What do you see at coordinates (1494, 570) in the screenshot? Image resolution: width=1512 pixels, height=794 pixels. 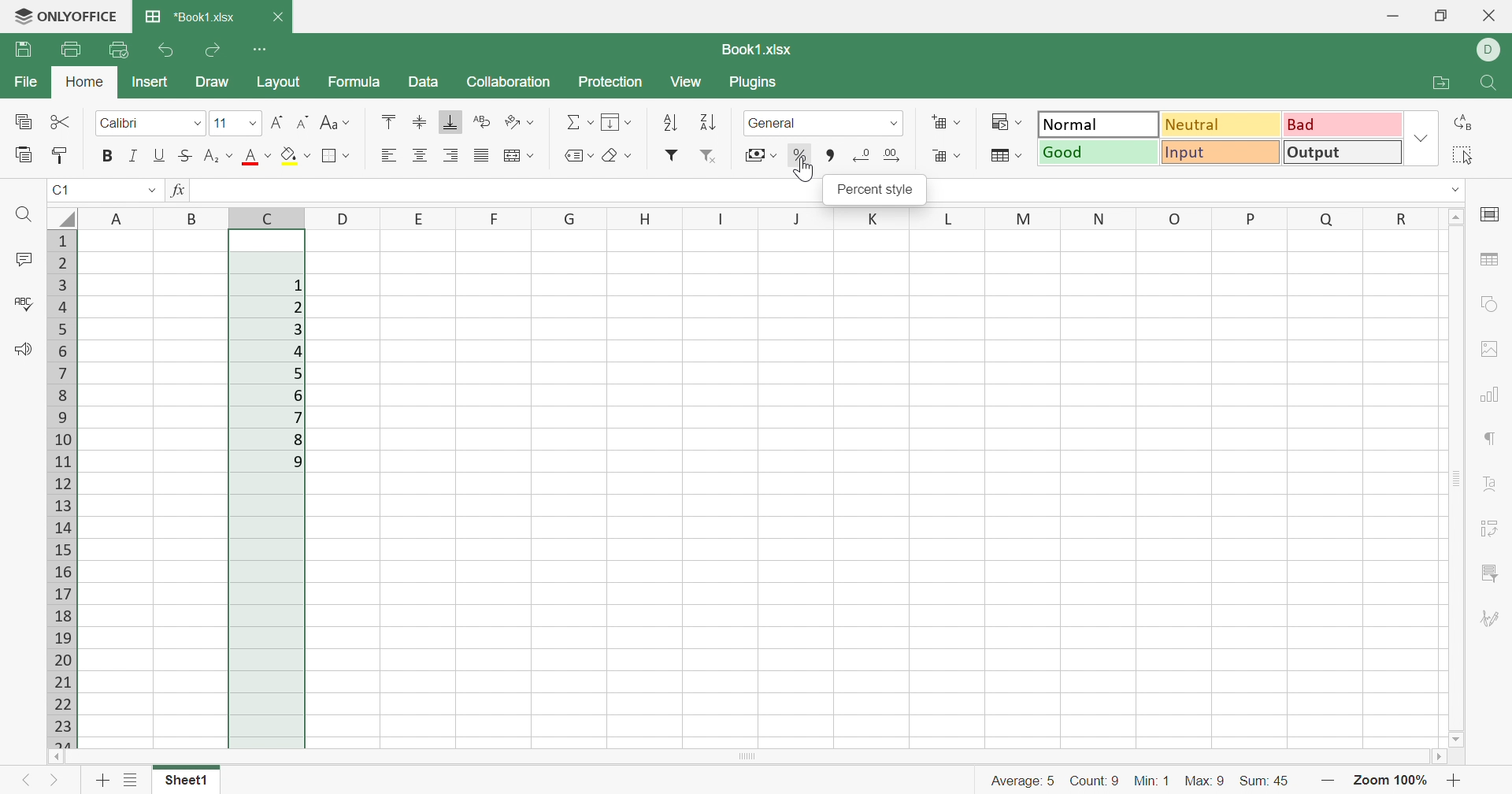 I see `Slicer settings` at bounding box center [1494, 570].